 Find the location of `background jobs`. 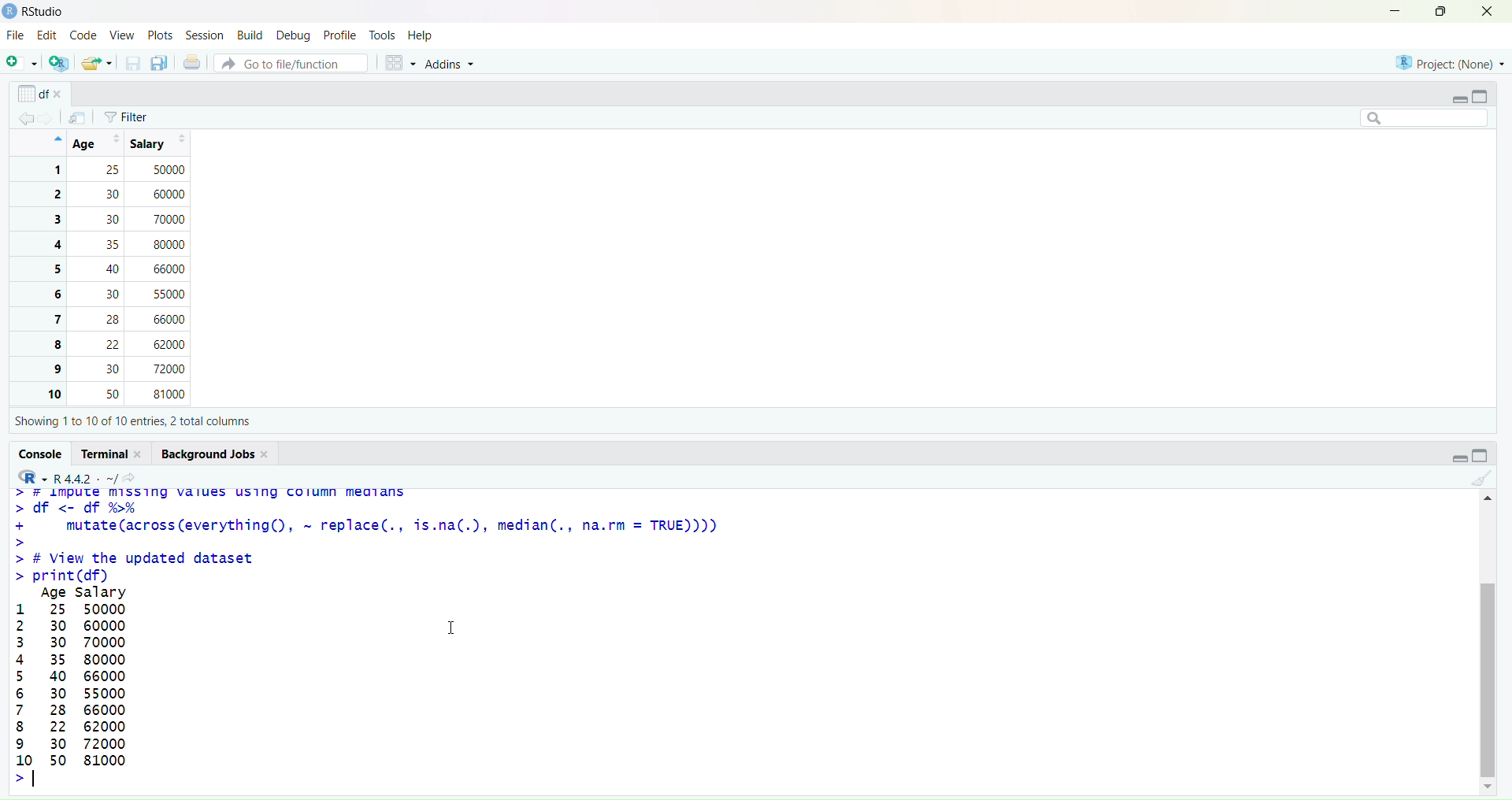

background jobs is located at coordinates (219, 453).